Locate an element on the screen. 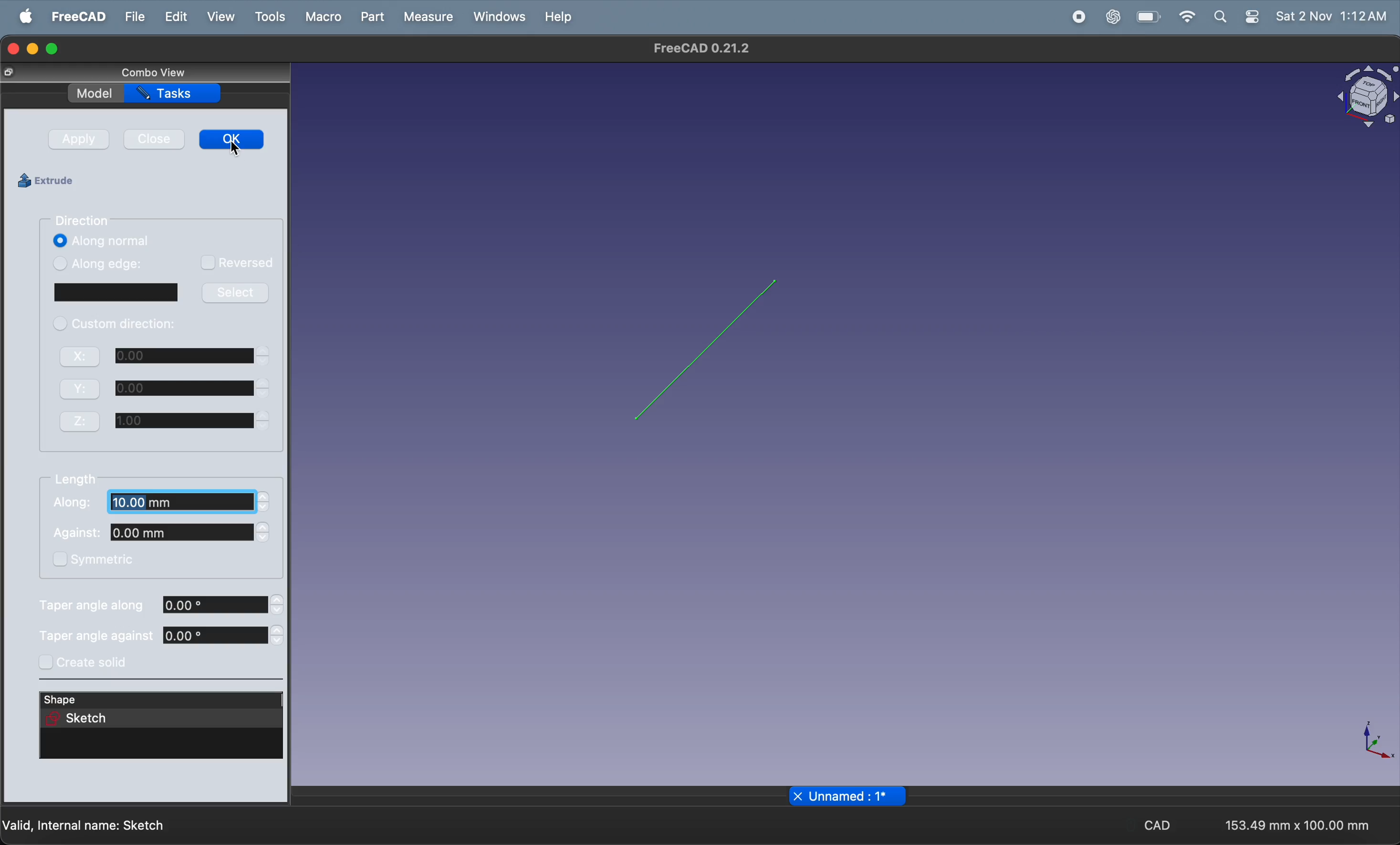 This screenshot has width=1400, height=845. combo view is located at coordinates (170, 73).